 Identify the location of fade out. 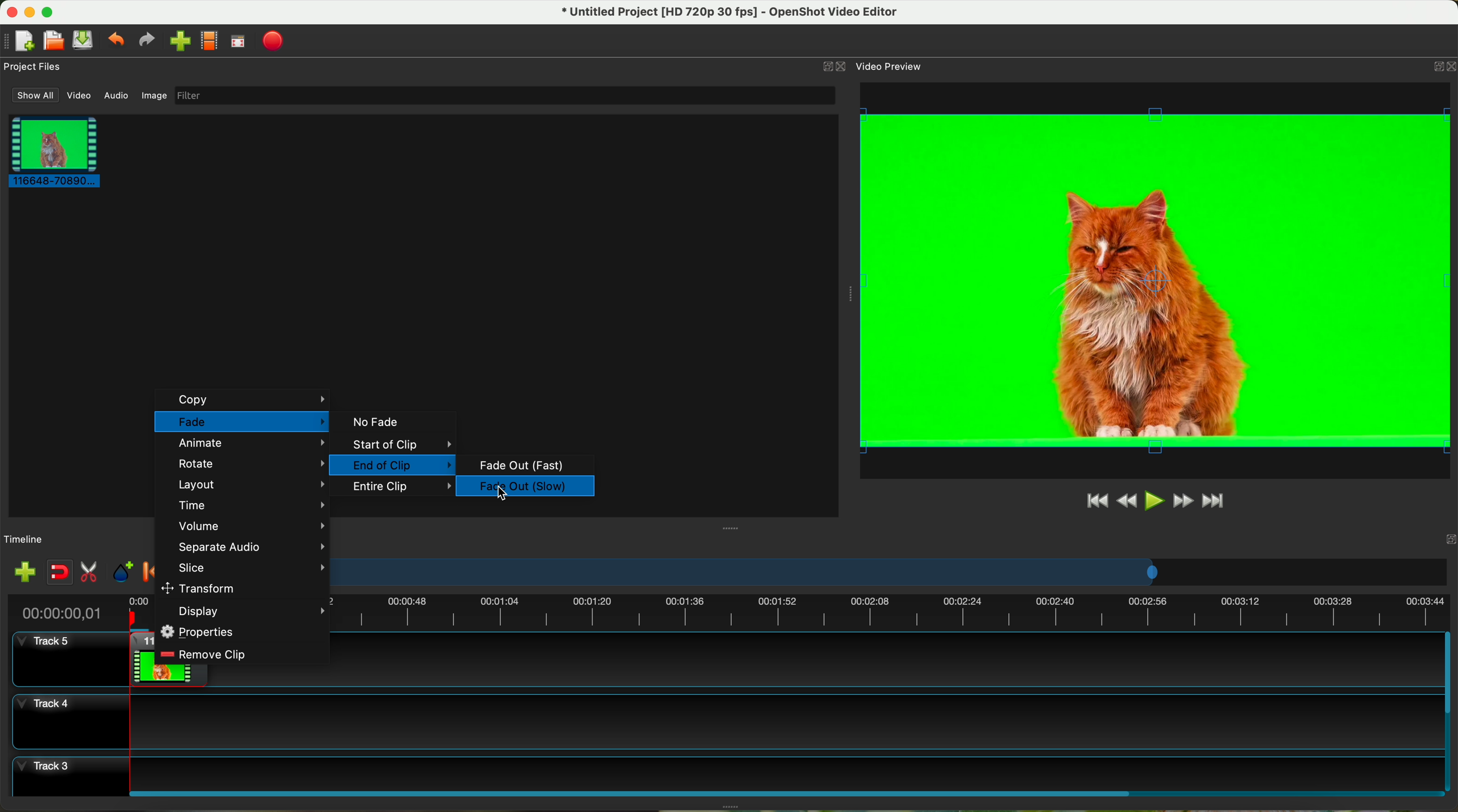
(520, 466).